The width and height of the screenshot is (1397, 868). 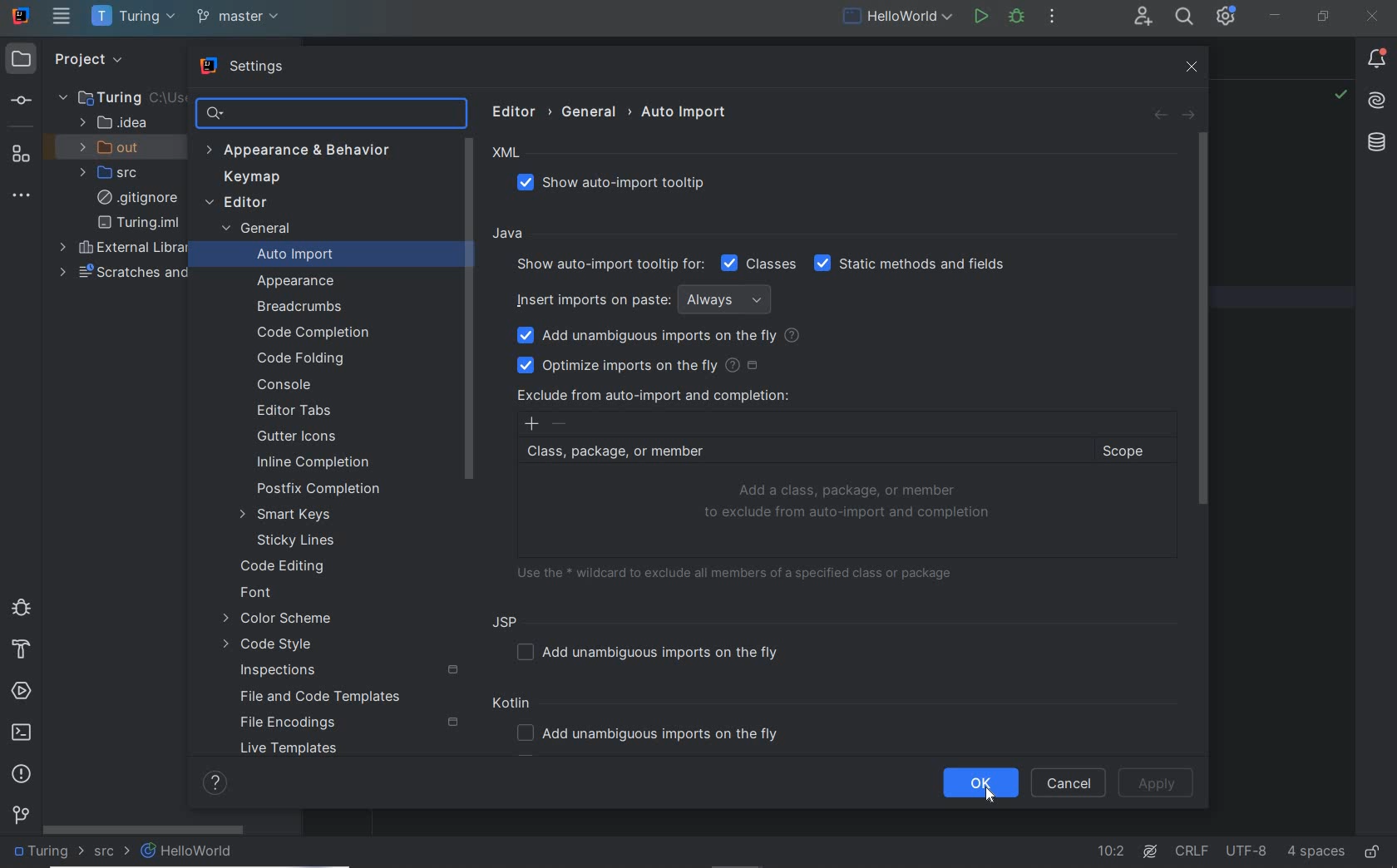 What do you see at coordinates (1158, 116) in the screenshot?
I see `back` at bounding box center [1158, 116].